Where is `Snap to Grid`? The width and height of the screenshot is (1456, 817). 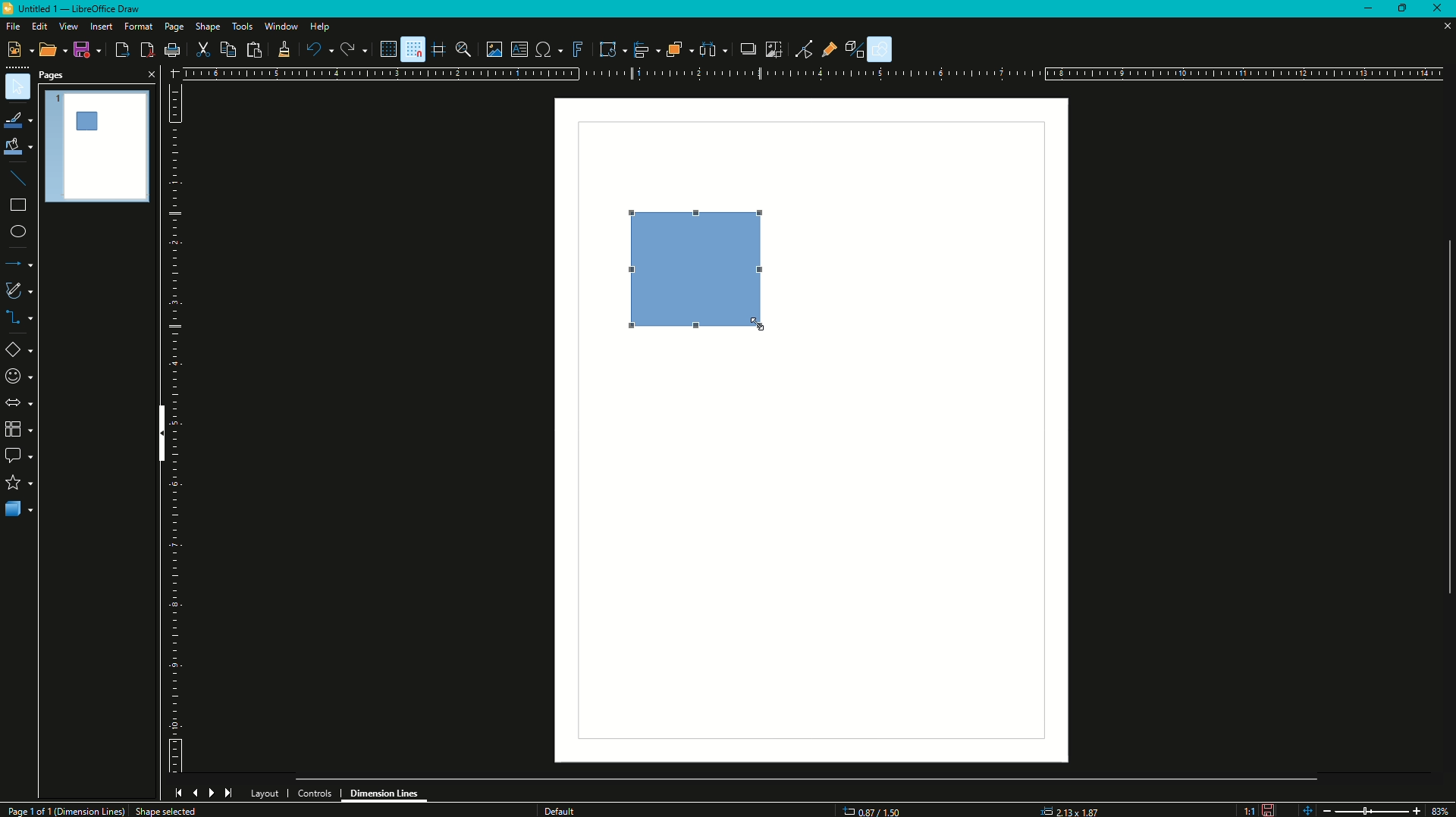 Snap to Grid is located at coordinates (412, 49).